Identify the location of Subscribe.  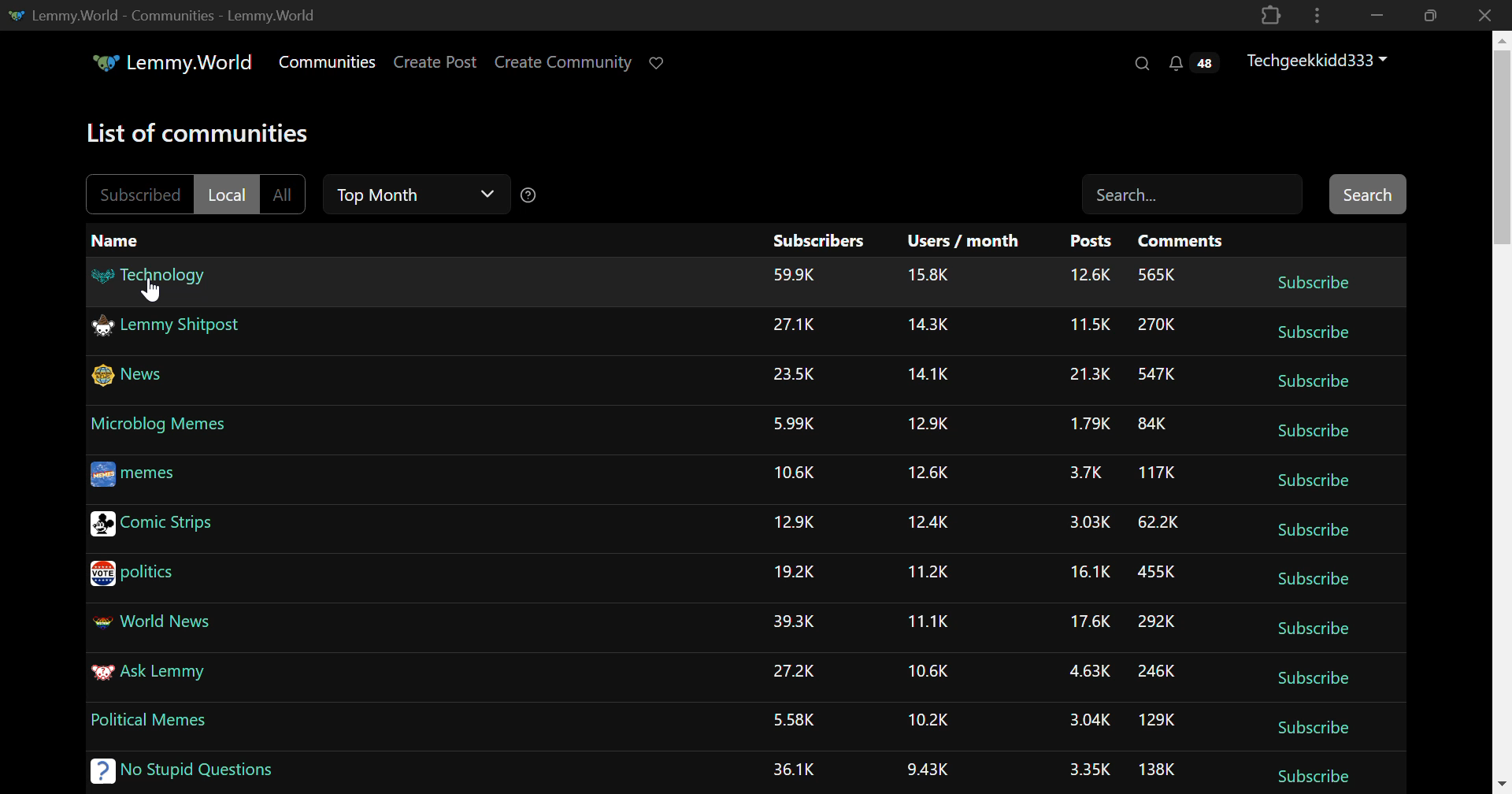
(1310, 578).